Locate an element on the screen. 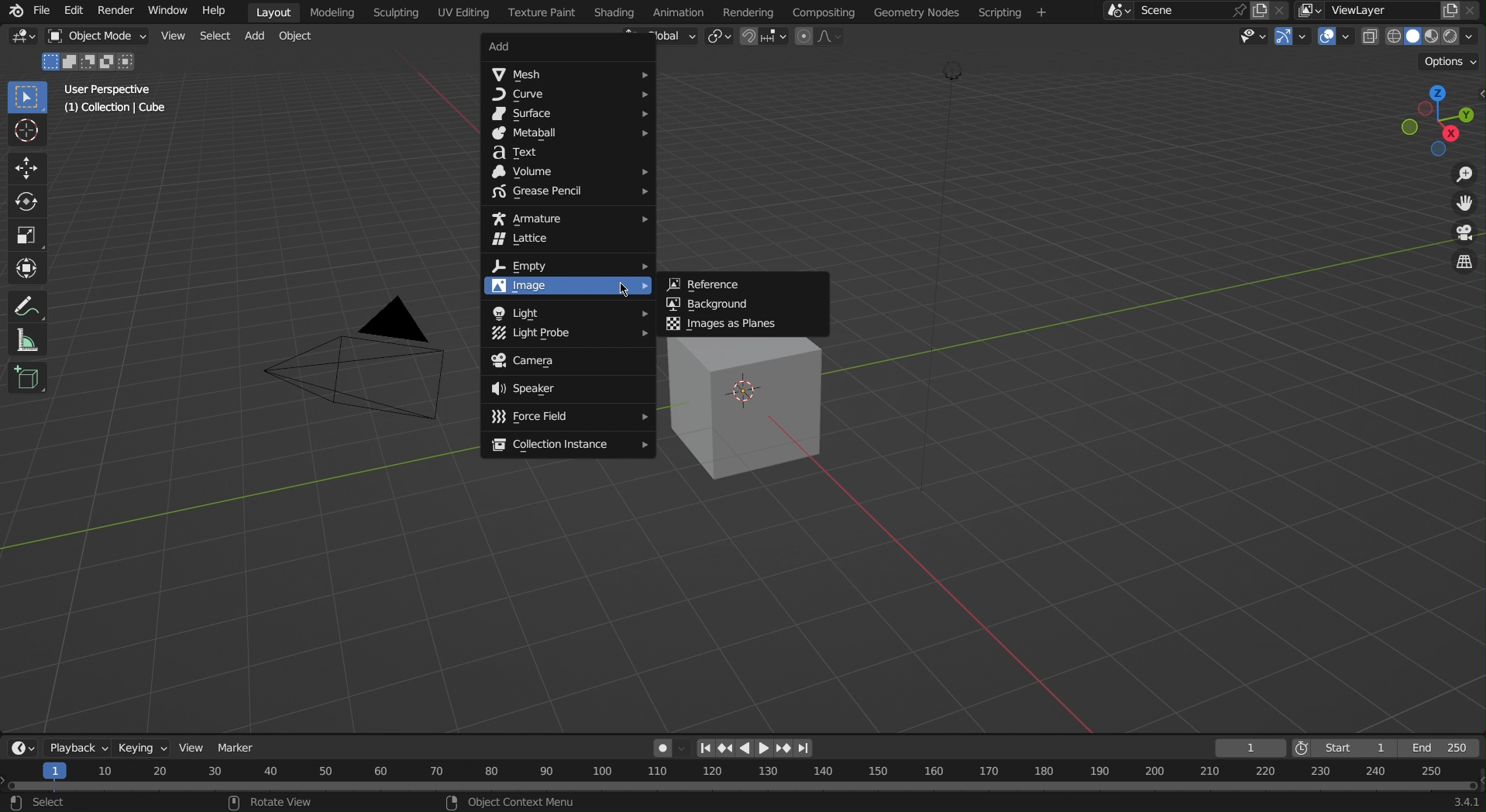 The height and width of the screenshot is (812, 1486). Light is located at coordinates (568, 334).